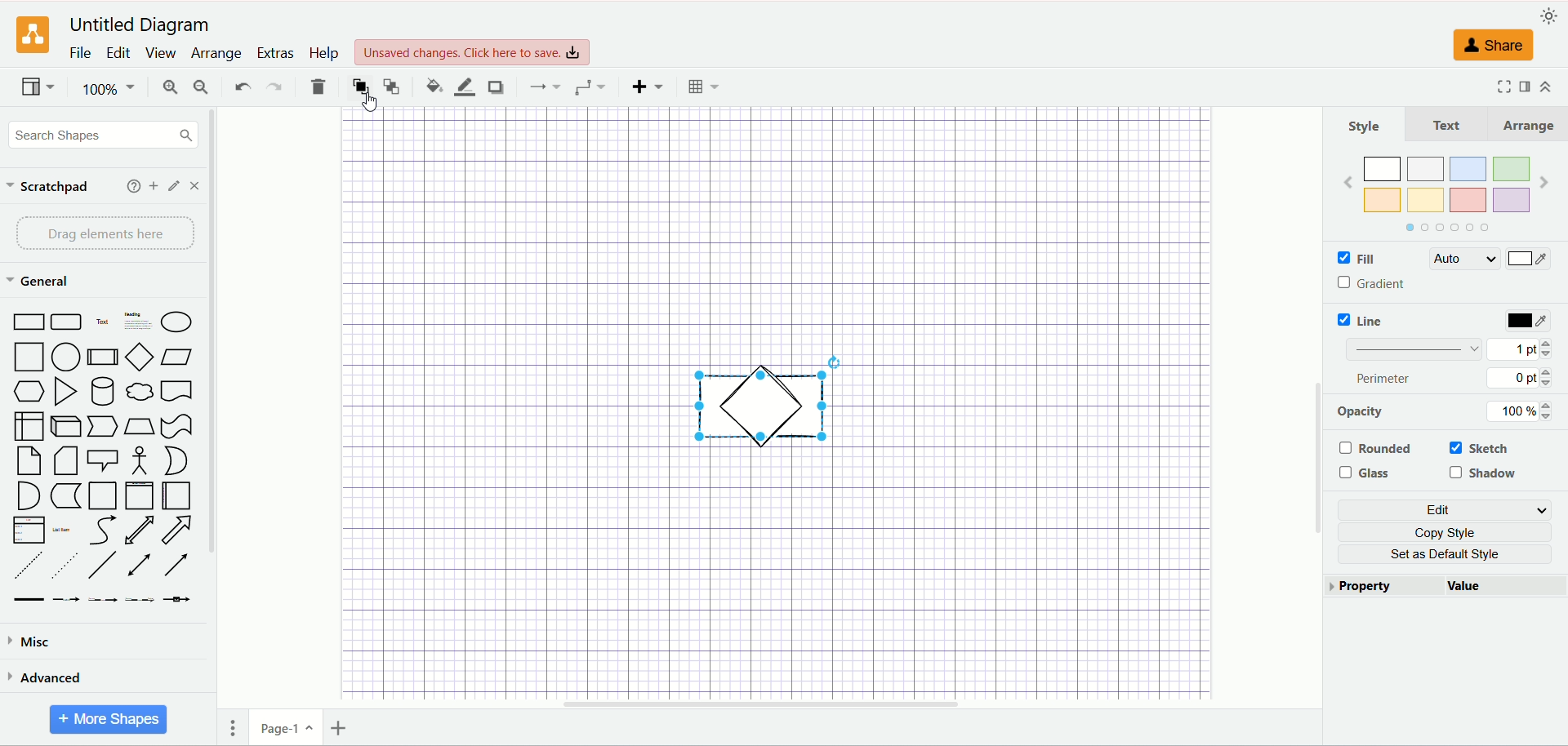 This screenshot has width=1568, height=746. I want to click on Triangle, so click(67, 392).